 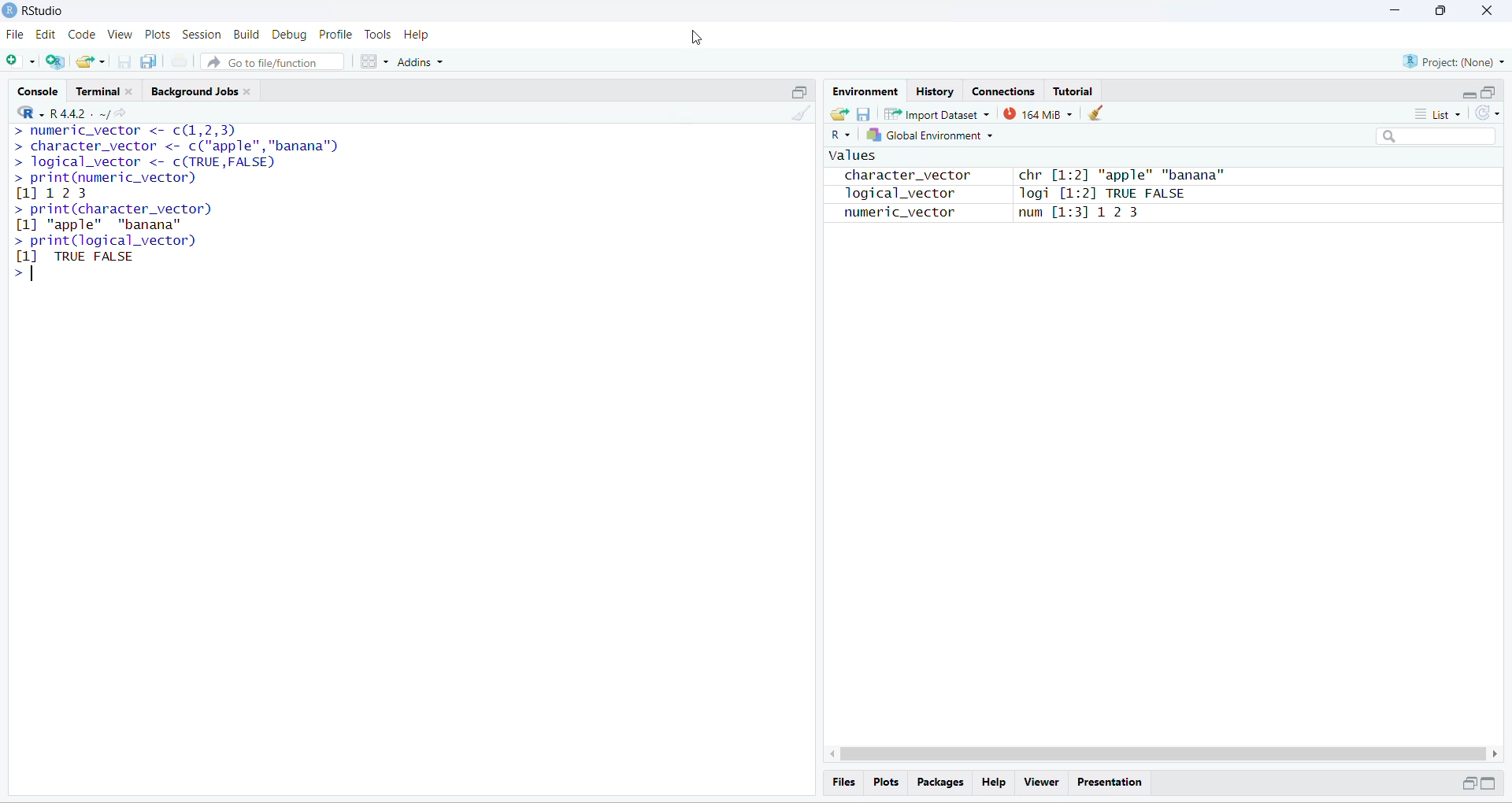 What do you see at coordinates (205, 90) in the screenshot?
I see `Background Jobs` at bounding box center [205, 90].